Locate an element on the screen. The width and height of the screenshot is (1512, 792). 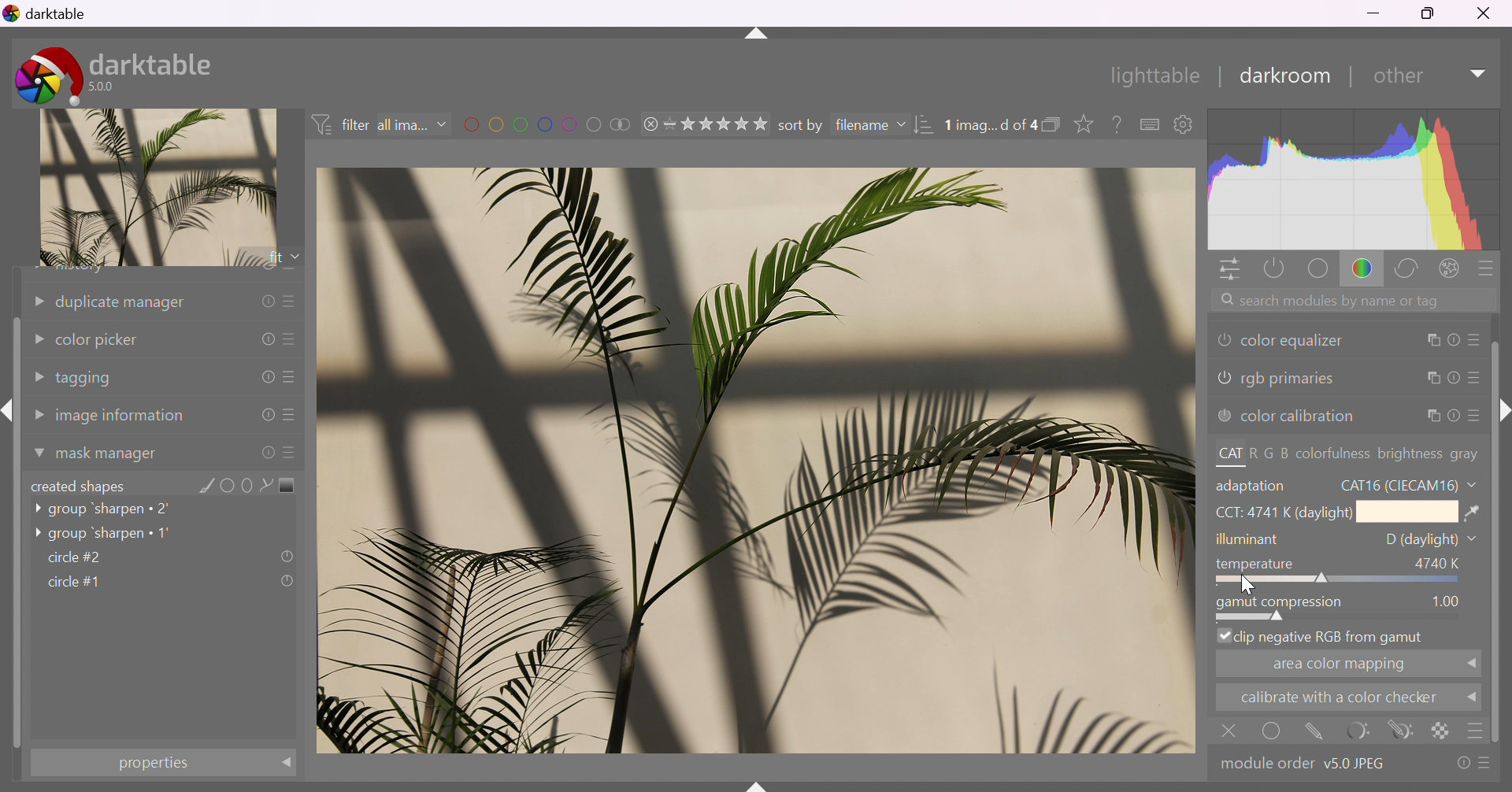
cursor is located at coordinates (1251, 587).